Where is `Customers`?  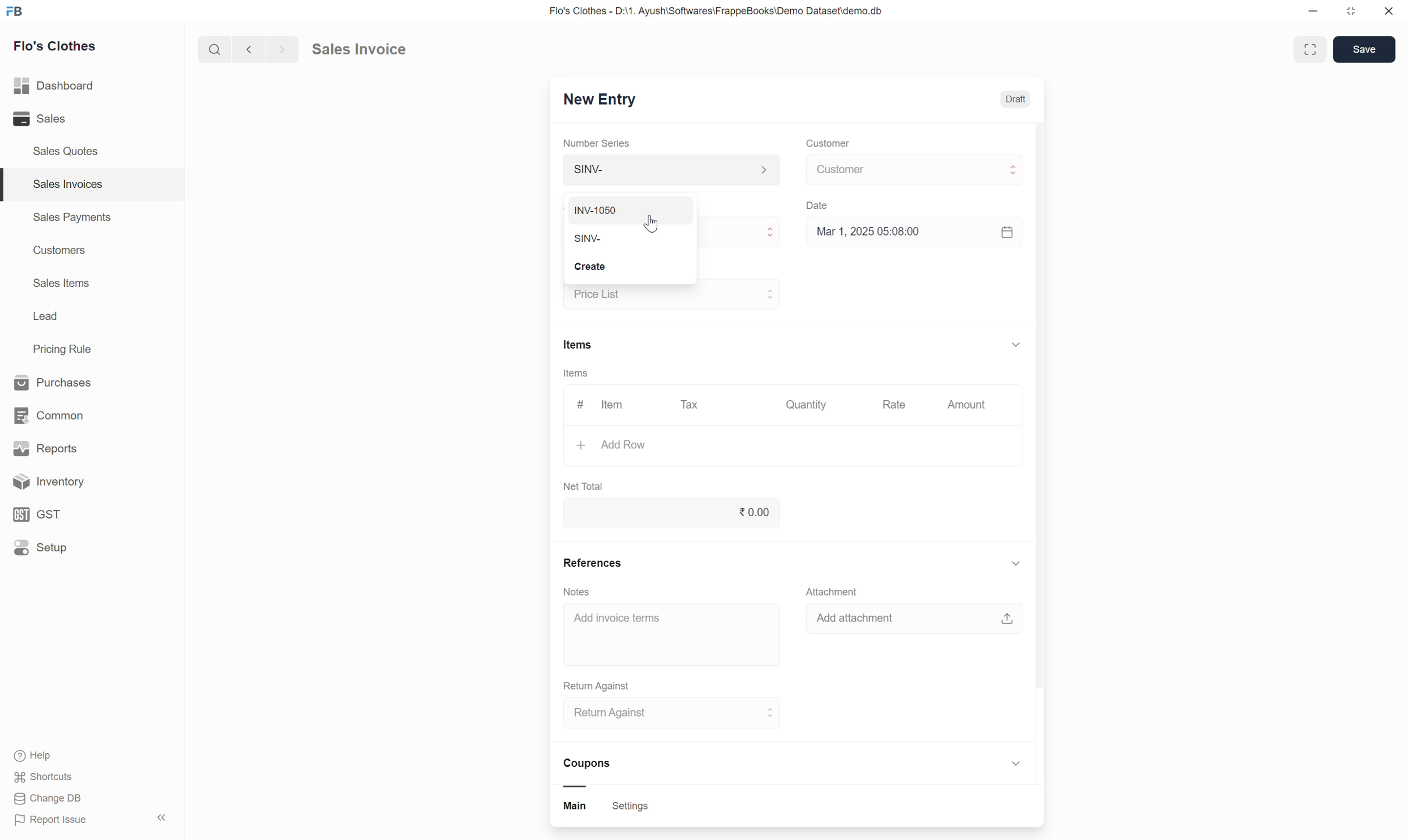 Customers is located at coordinates (58, 252).